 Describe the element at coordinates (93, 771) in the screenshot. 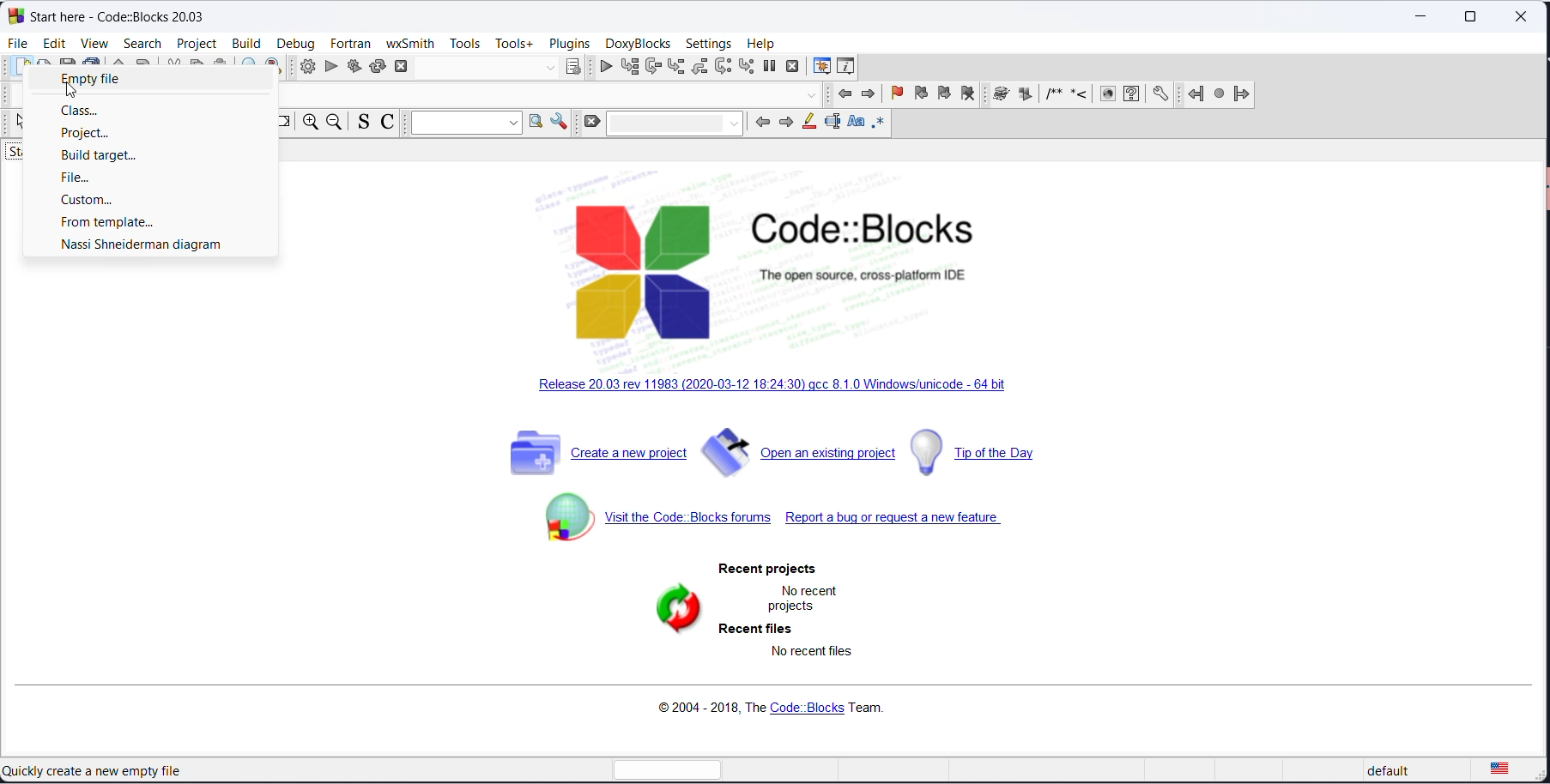

I see `Quickly create a new empty file` at that location.